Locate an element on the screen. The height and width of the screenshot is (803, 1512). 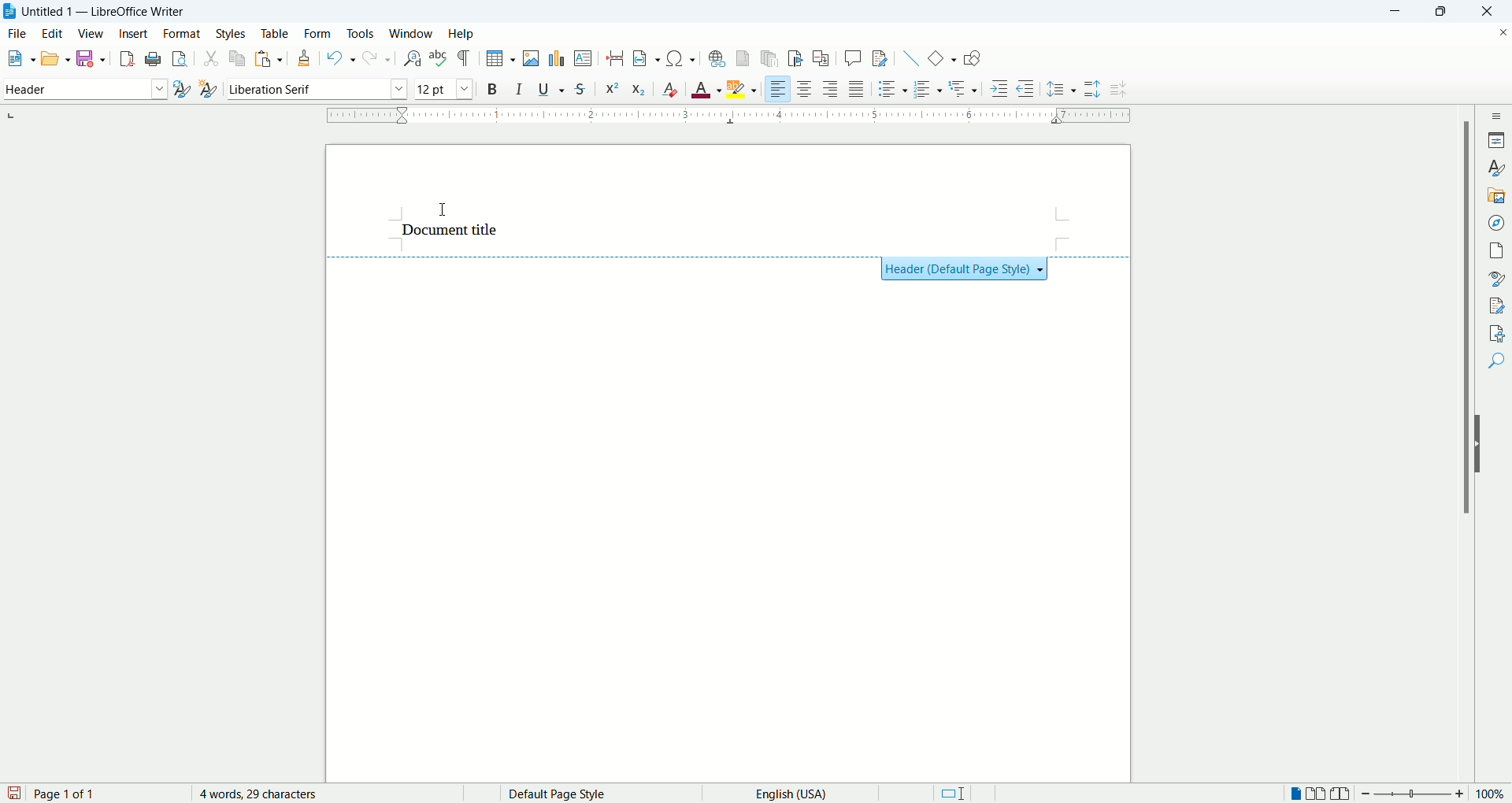
help is located at coordinates (462, 35).